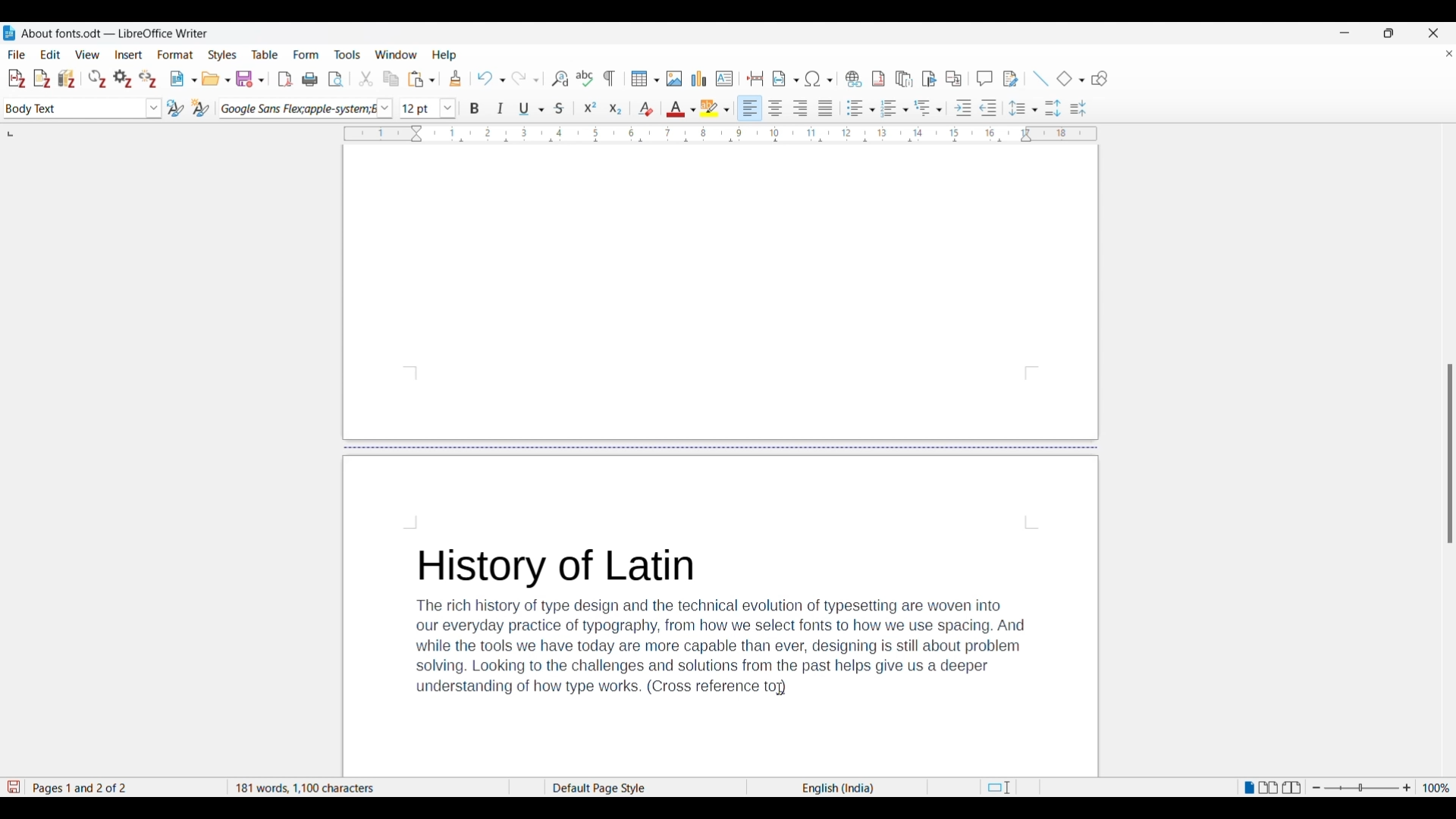 The height and width of the screenshot is (819, 1456). I want to click on Insert bookmark, so click(930, 80).